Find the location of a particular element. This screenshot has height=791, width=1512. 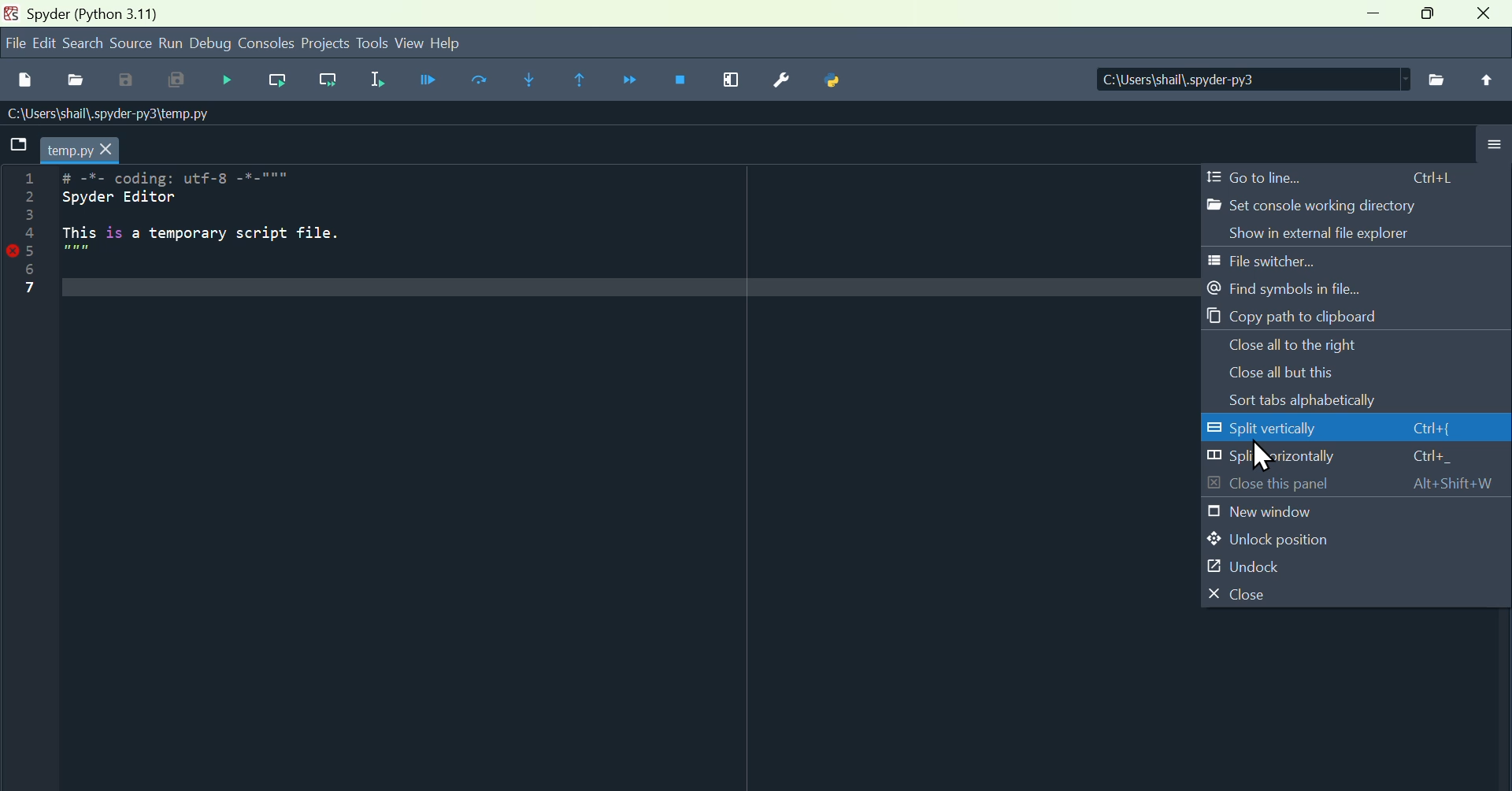

Unlock position is located at coordinates (1352, 542).